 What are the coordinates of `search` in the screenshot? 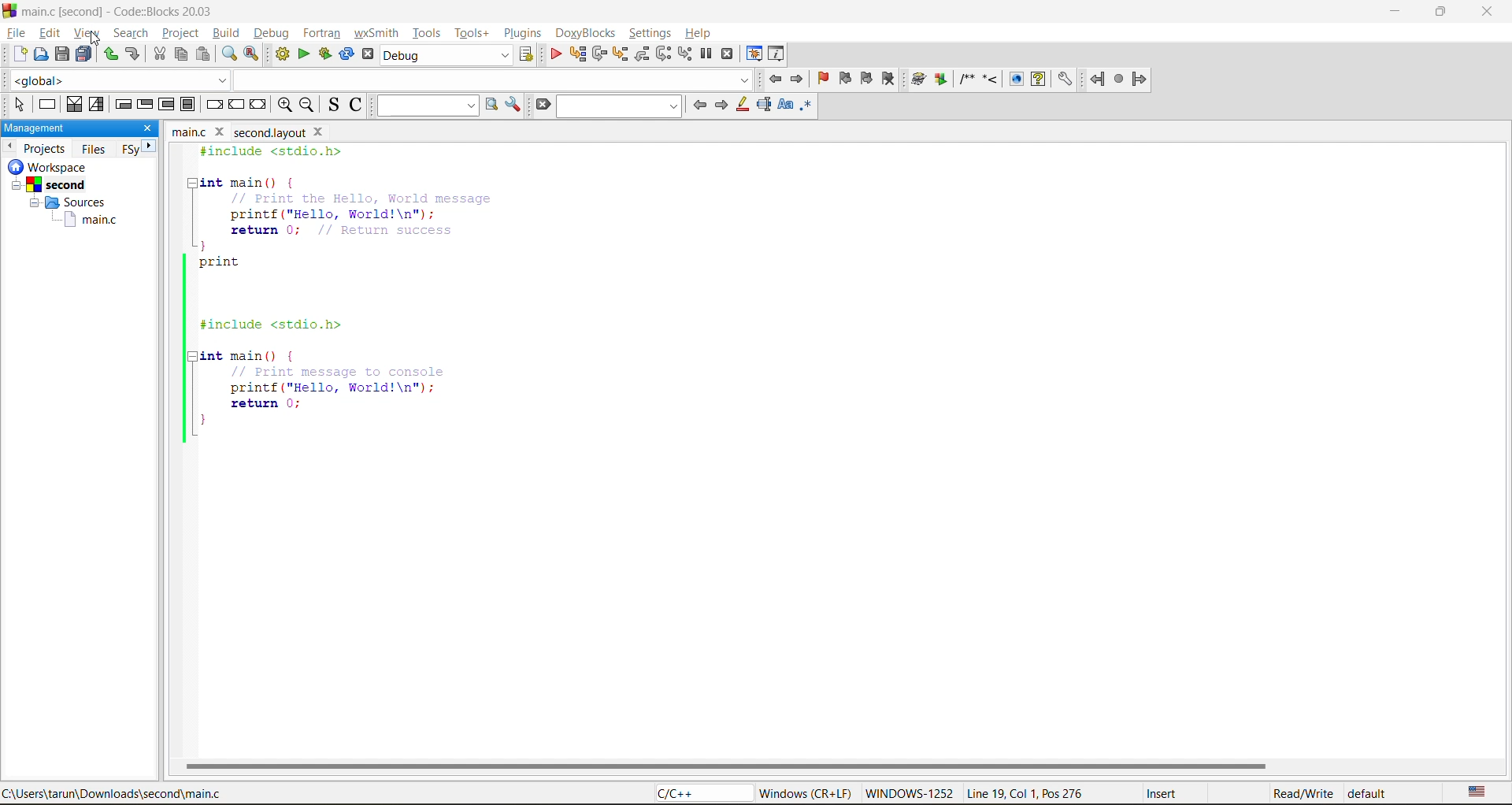 It's located at (617, 108).